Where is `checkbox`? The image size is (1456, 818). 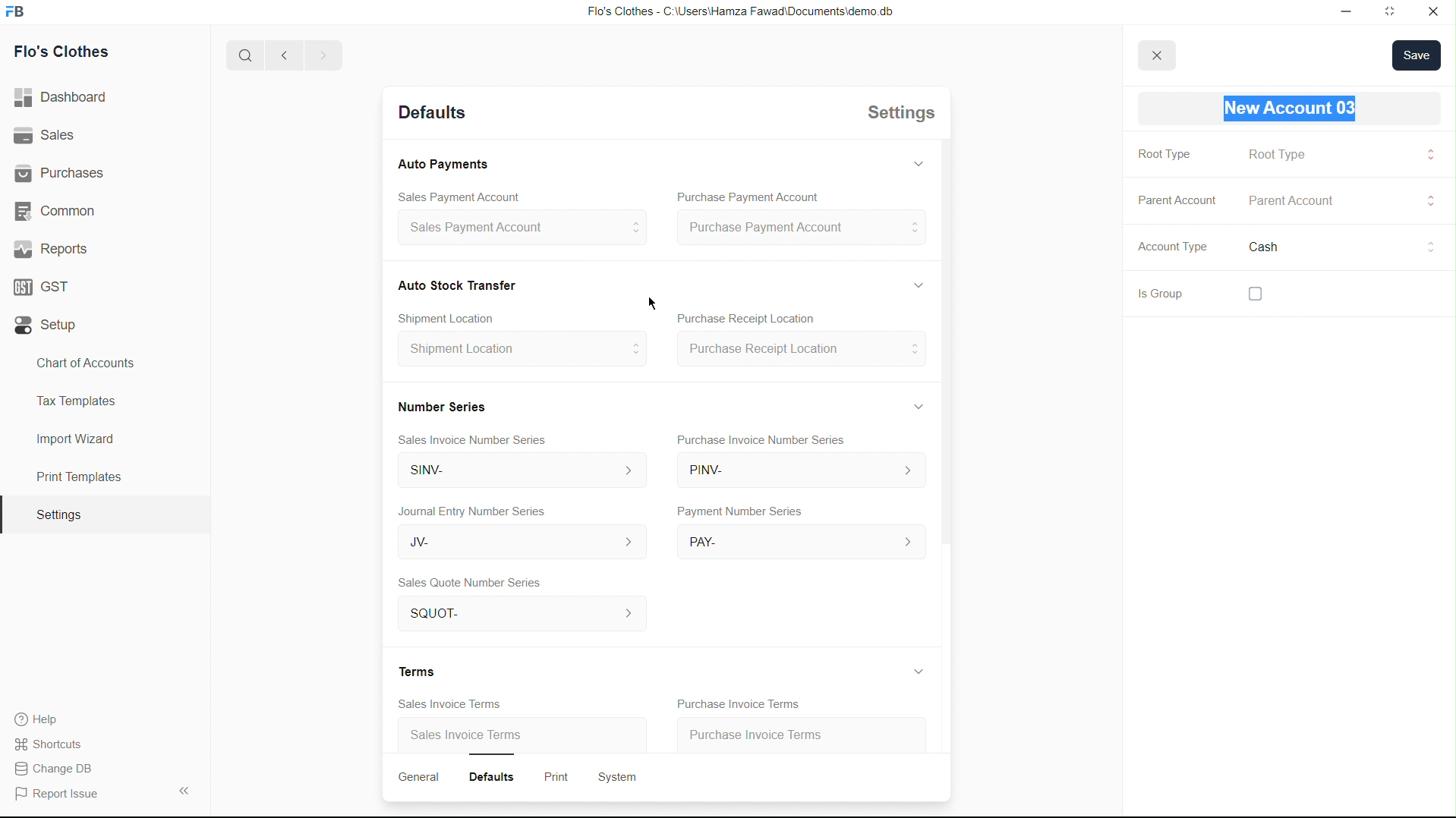 checkbox is located at coordinates (1253, 294).